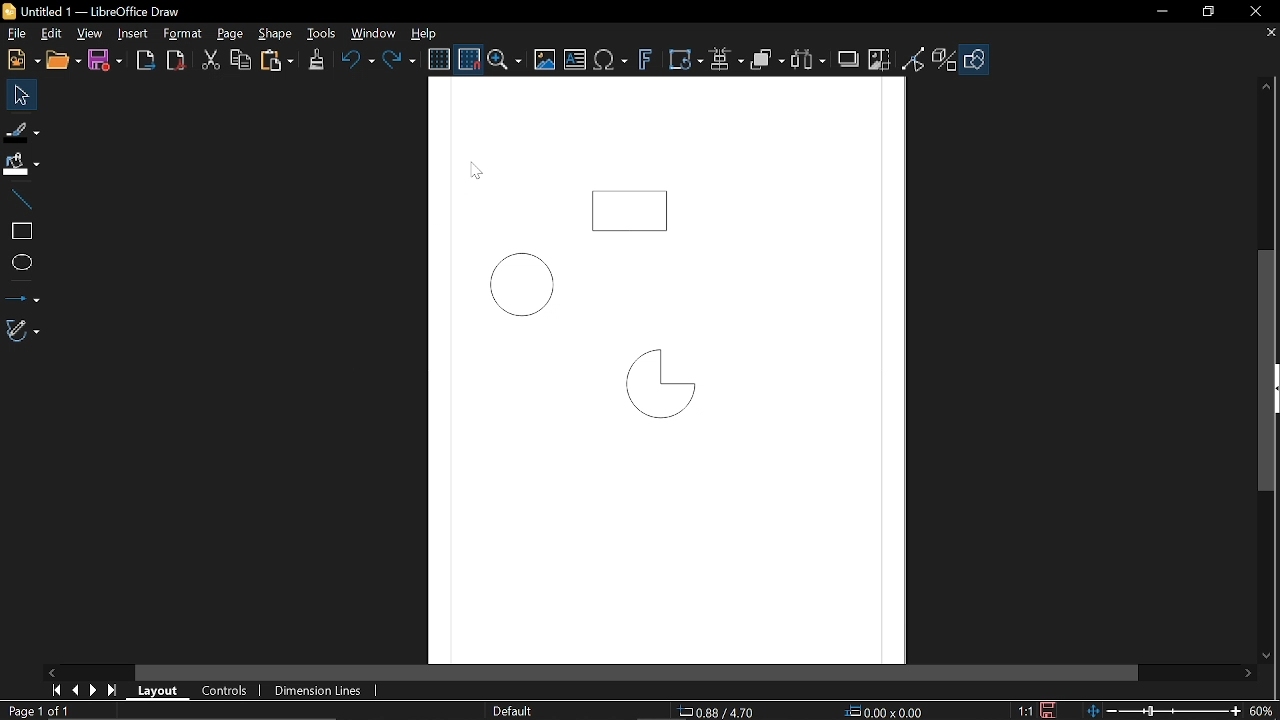  I want to click on Toggle point of view, so click(913, 59).